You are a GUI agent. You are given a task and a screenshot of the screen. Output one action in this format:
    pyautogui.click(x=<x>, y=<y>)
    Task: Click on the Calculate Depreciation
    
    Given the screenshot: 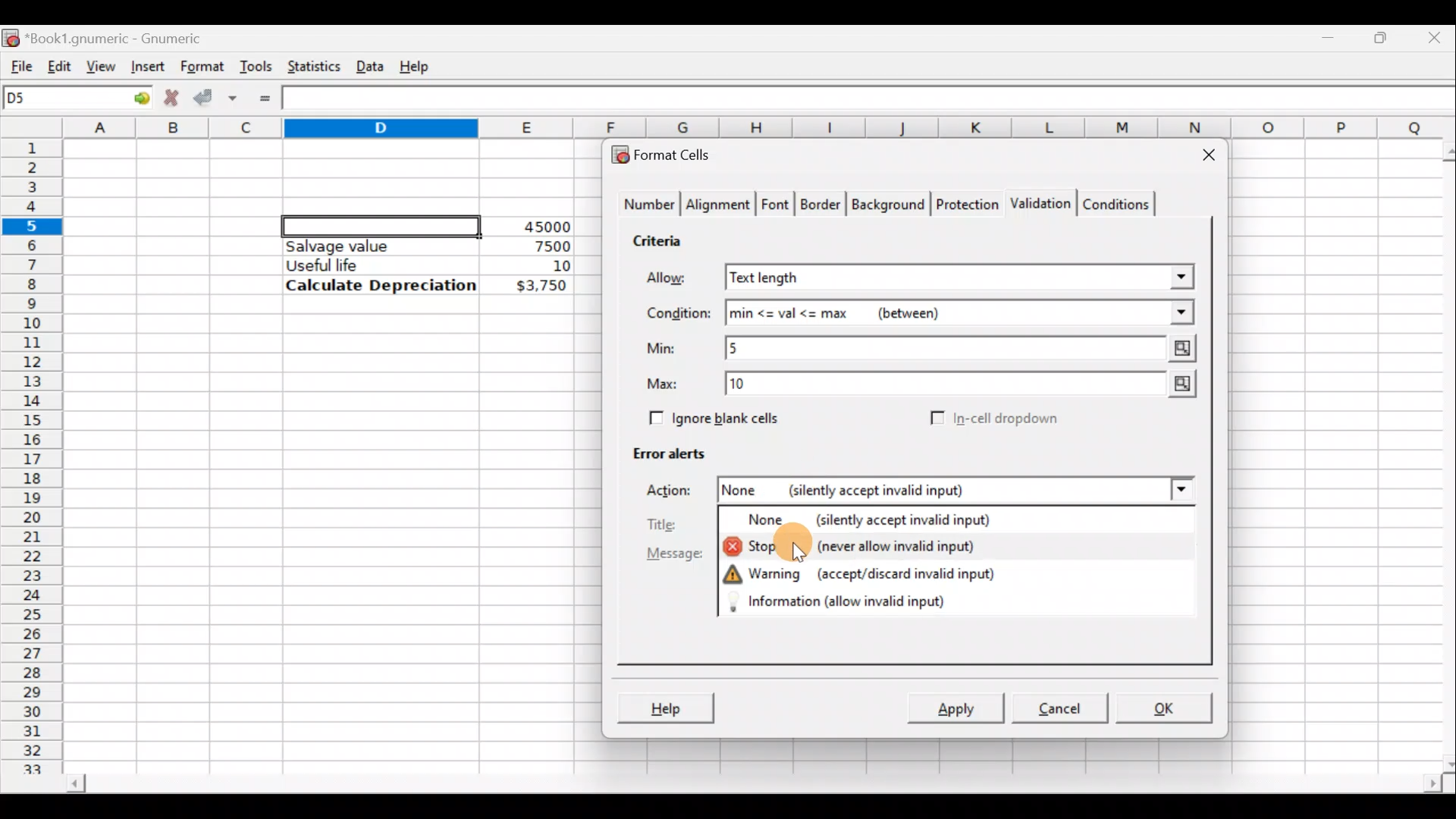 What is the action you would take?
    pyautogui.click(x=381, y=284)
    